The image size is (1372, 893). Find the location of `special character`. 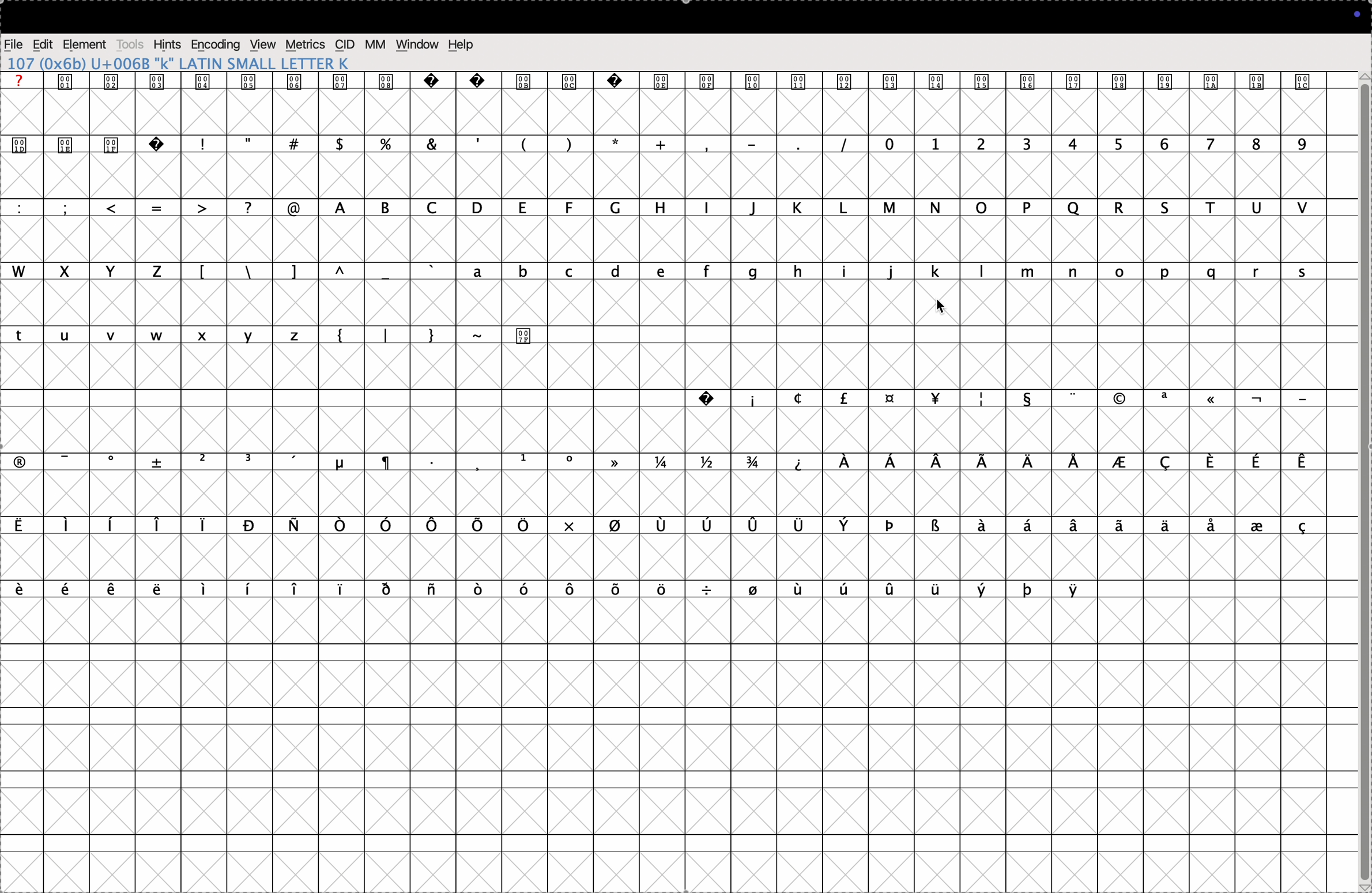

special character is located at coordinates (19, 461).